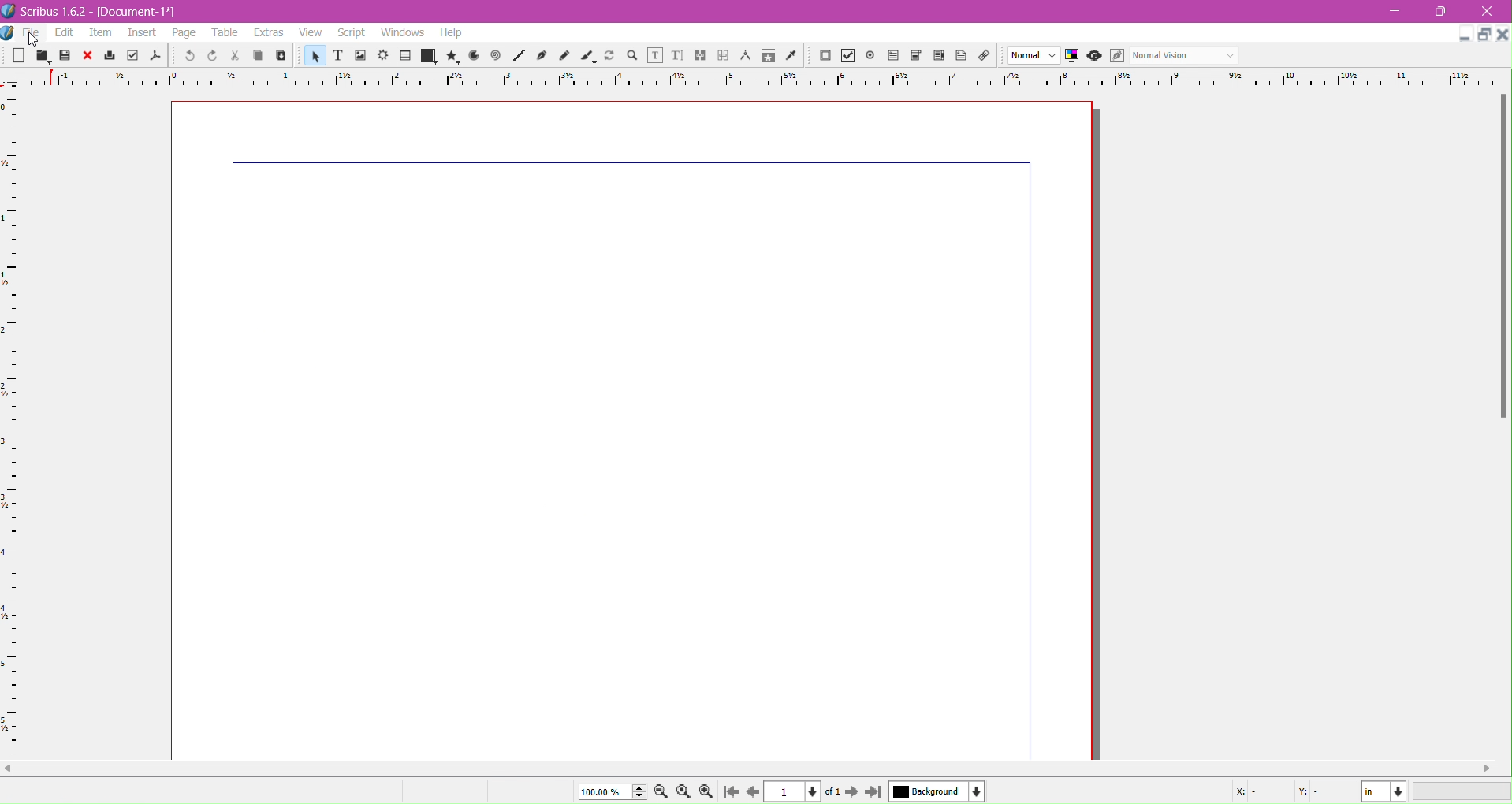 Image resolution: width=1512 pixels, height=804 pixels. What do you see at coordinates (700, 56) in the screenshot?
I see `link text frames` at bounding box center [700, 56].